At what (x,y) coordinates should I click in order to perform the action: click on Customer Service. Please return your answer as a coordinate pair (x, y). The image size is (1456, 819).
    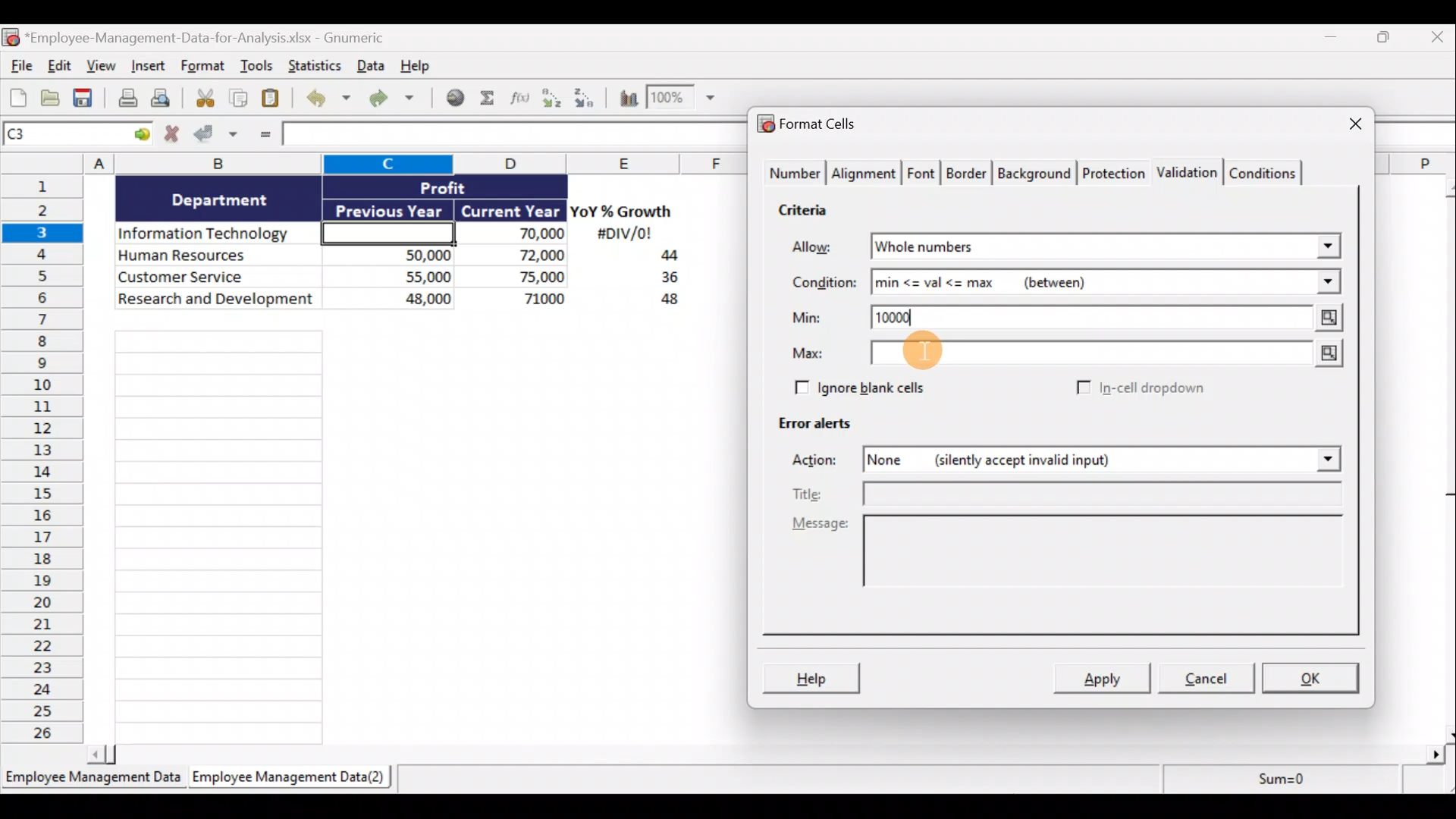
    Looking at the image, I should click on (218, 275).